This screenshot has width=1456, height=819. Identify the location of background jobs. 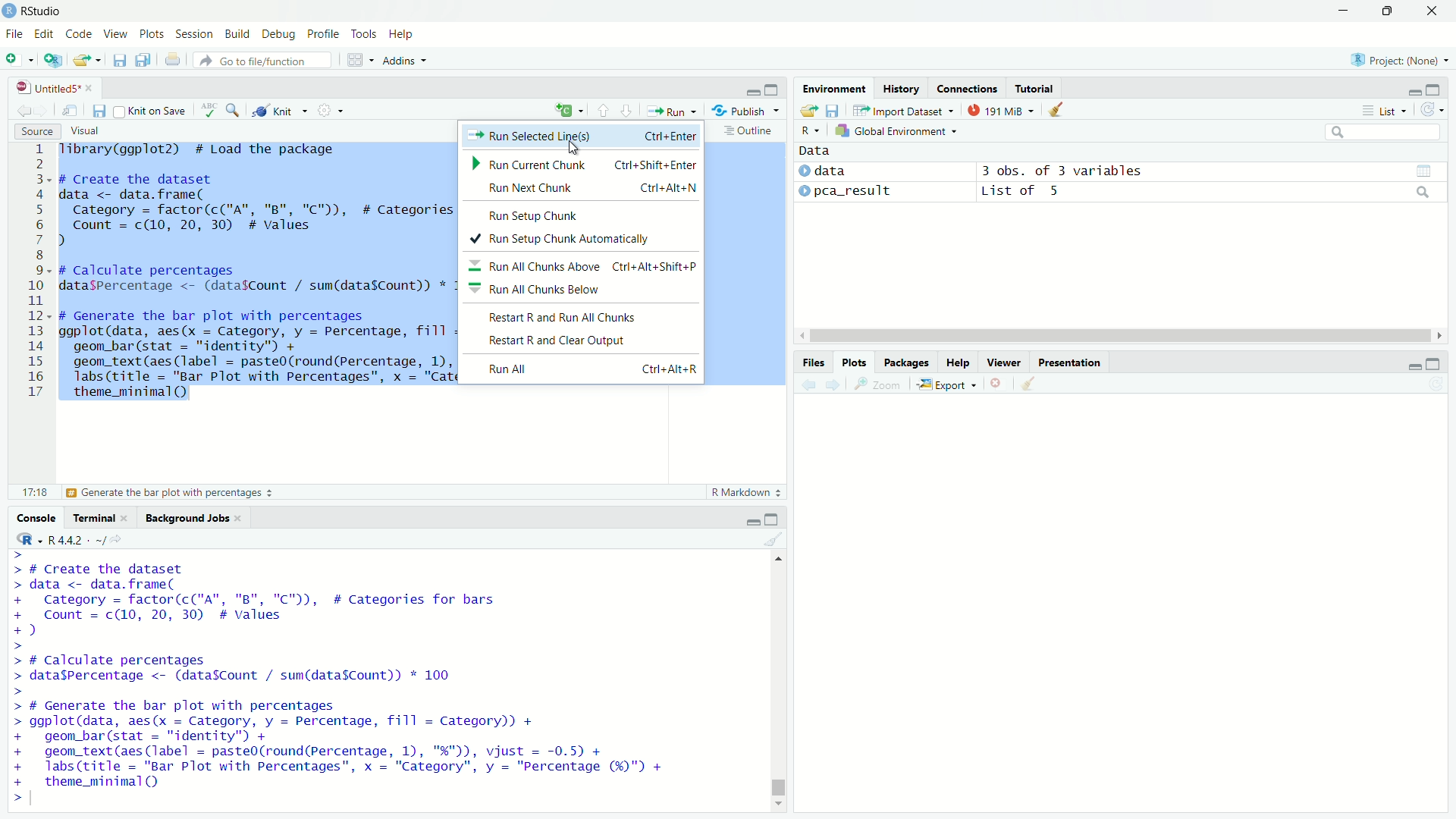
(192, 518).